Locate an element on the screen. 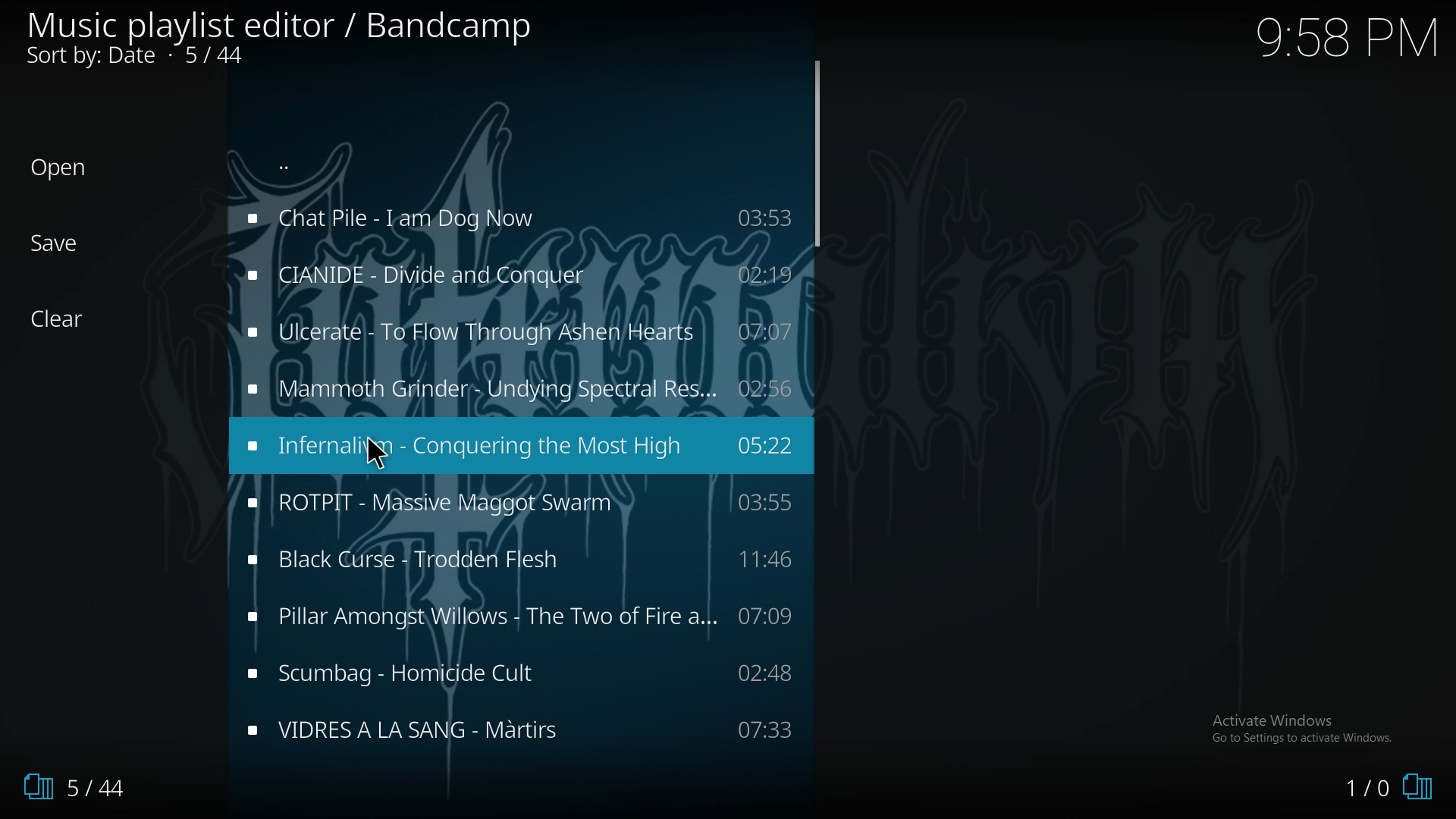 This screenshot has width=1456, height=819. Open is located at coordinates (59, 168).